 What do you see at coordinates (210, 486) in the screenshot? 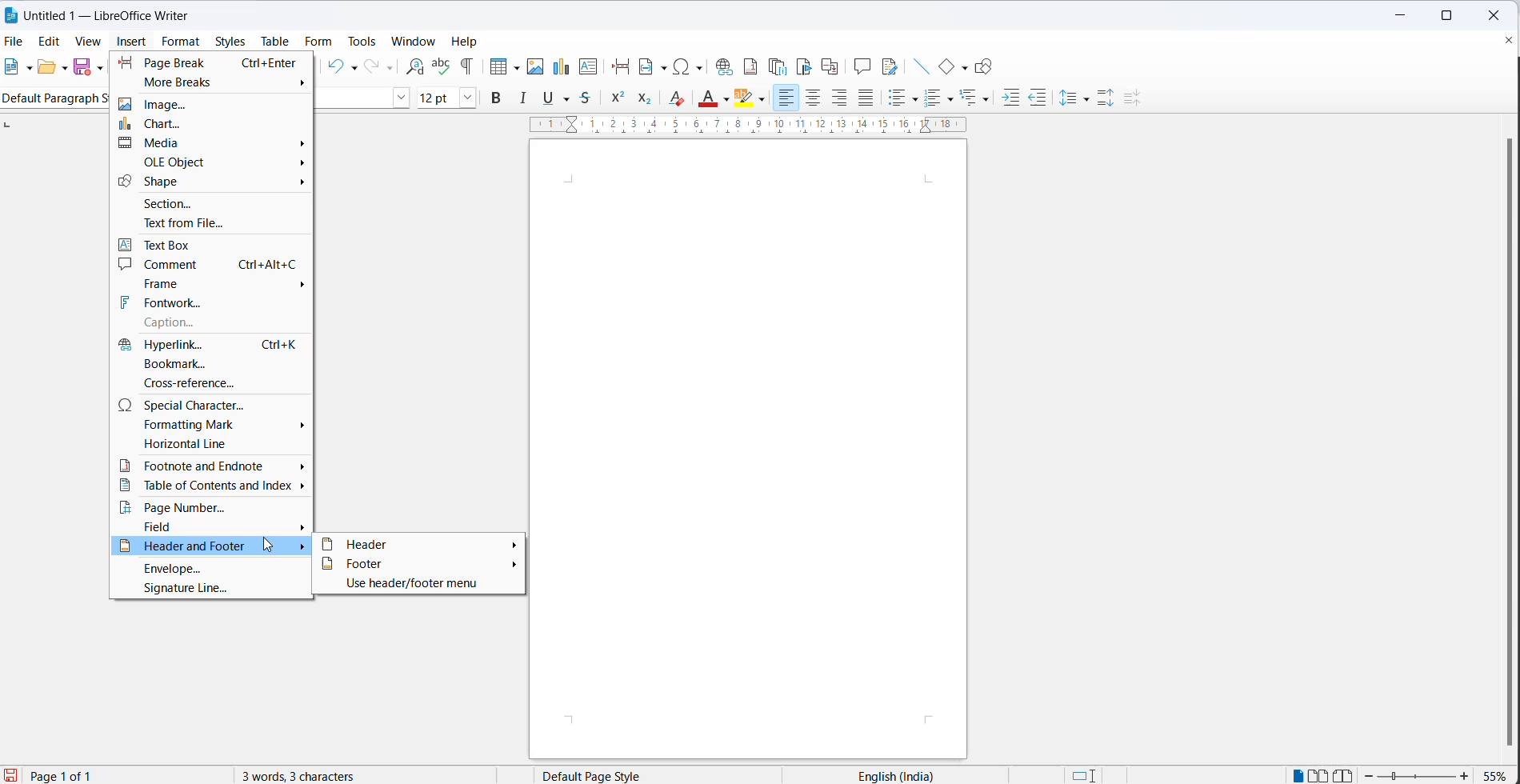
I see `table of contents and index` at bounding box center [210, 486].